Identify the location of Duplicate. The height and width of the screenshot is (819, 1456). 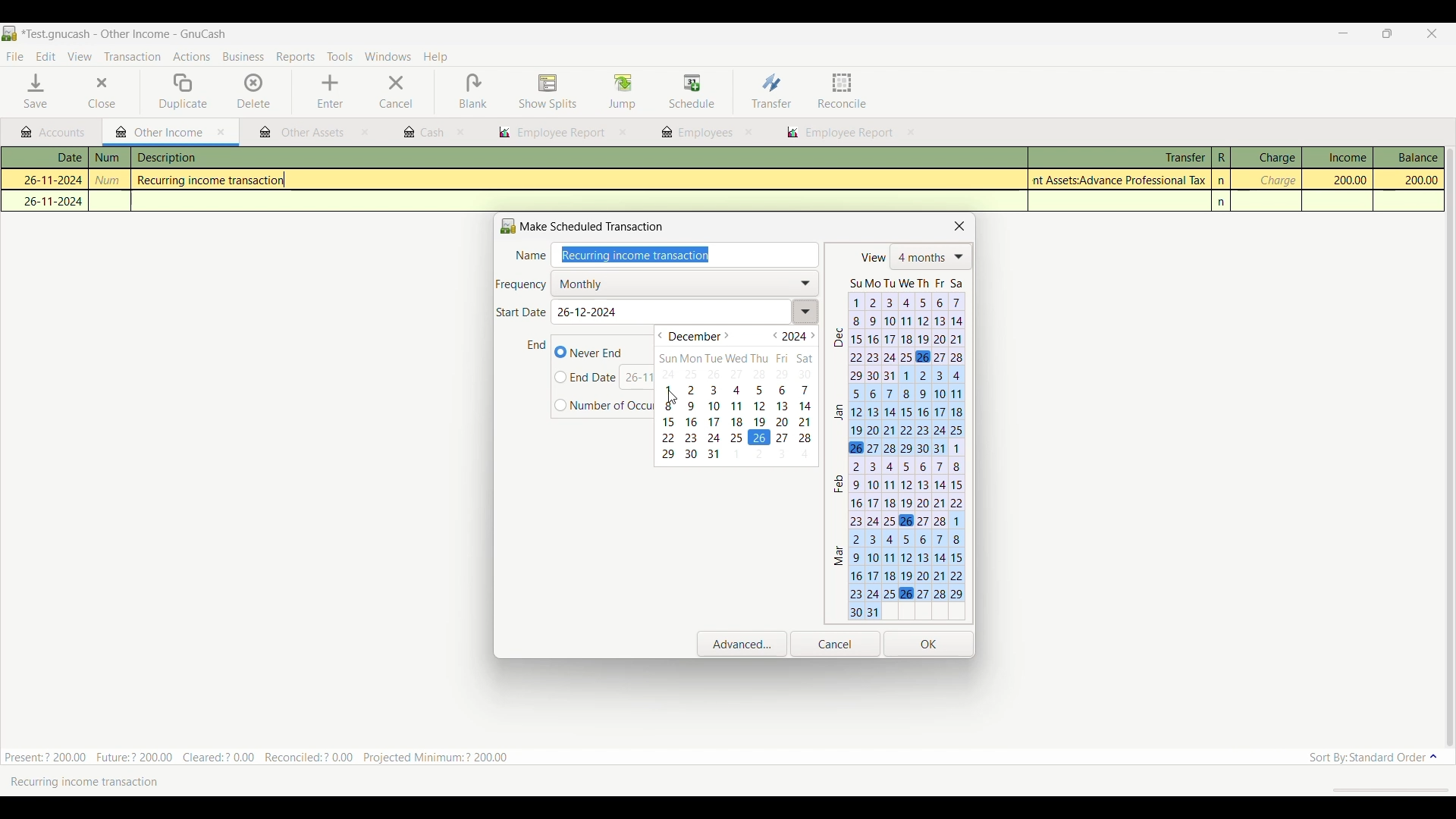
(184, 92).